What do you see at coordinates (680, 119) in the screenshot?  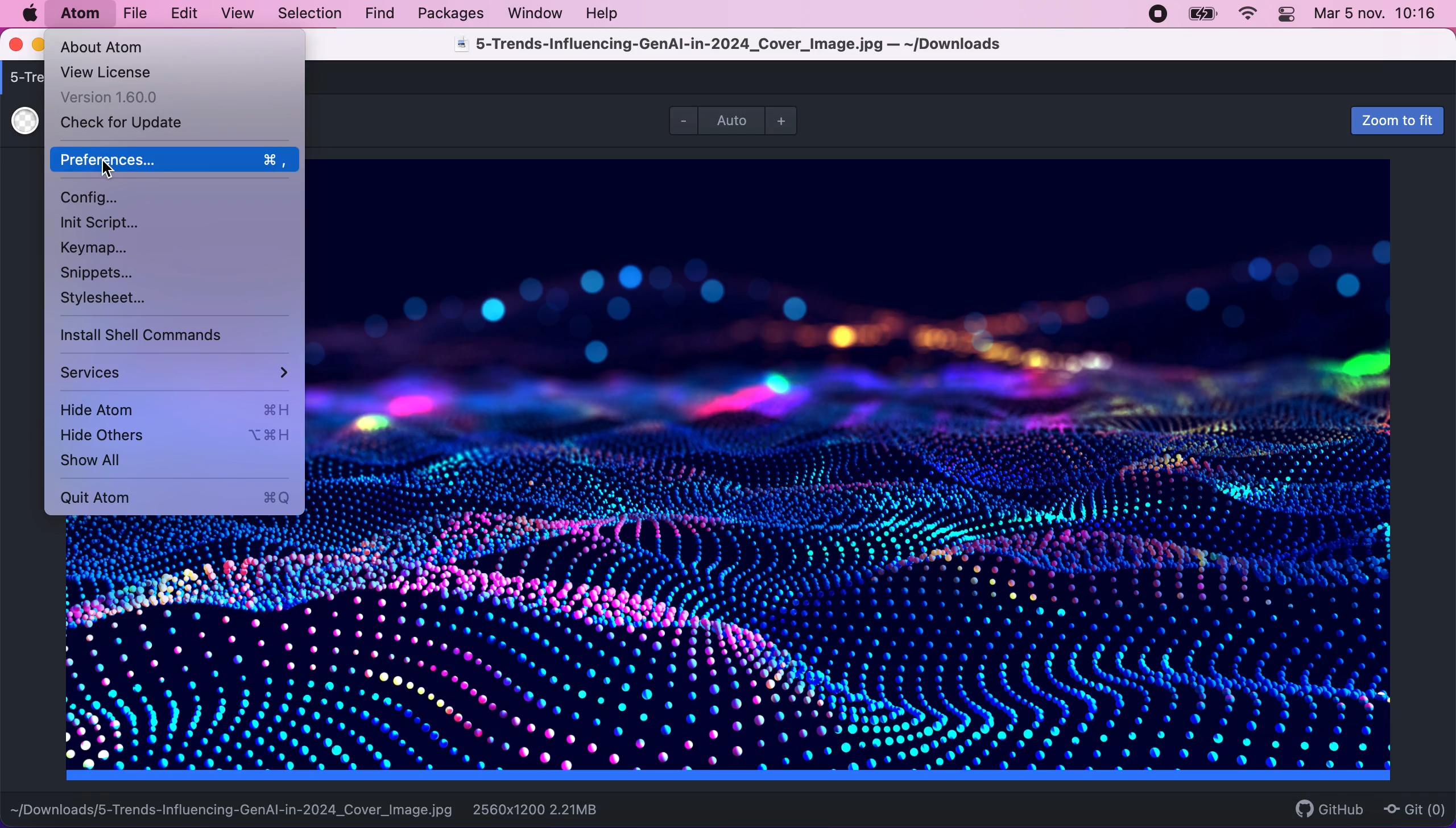 I see `zoom out` at bounding box center [680, 119].